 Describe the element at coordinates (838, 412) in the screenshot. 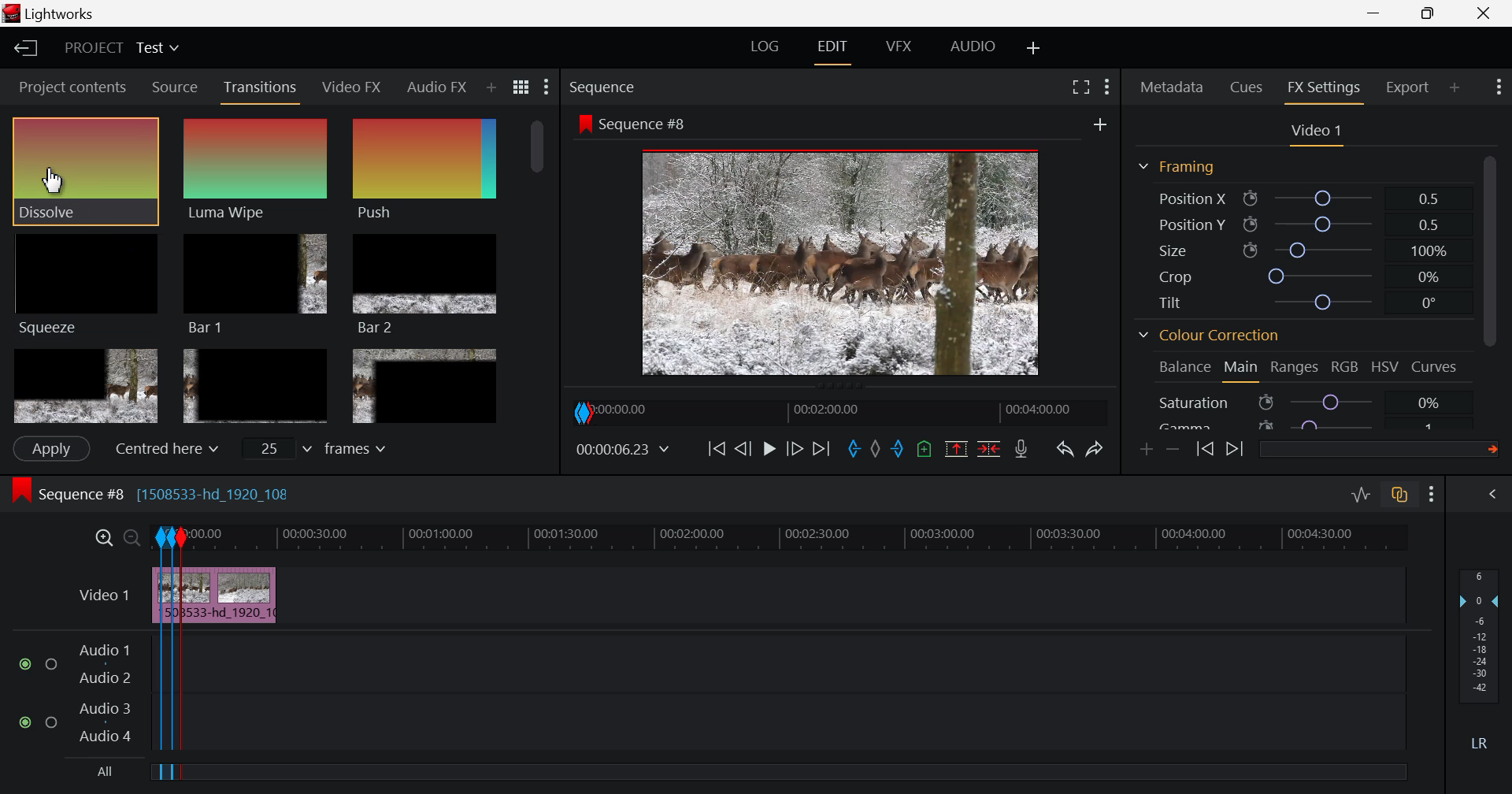

I see `Project Timeline Navigator` at that location.